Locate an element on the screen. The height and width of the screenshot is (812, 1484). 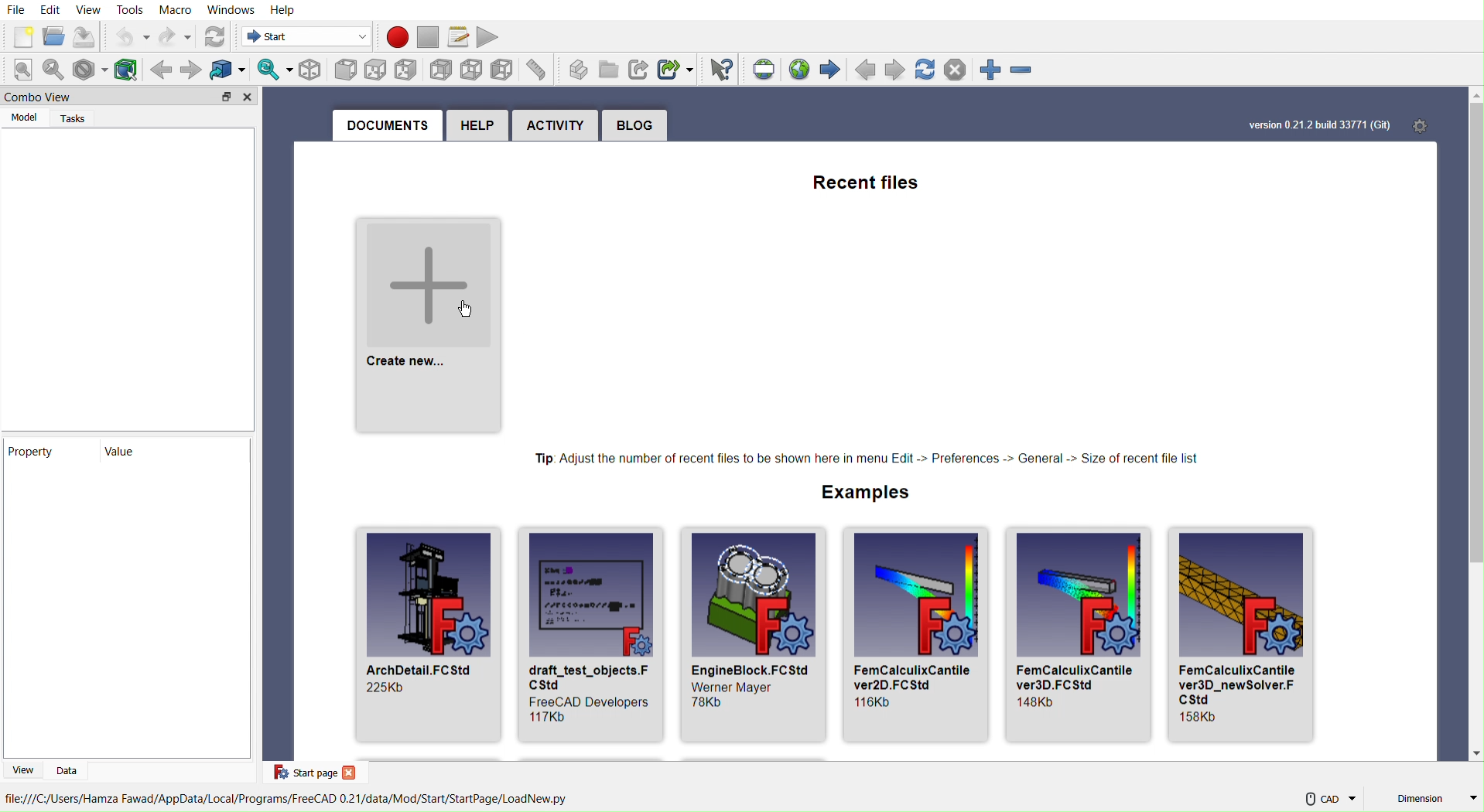
Show selection bounding box is located at coordinates (128, 69).